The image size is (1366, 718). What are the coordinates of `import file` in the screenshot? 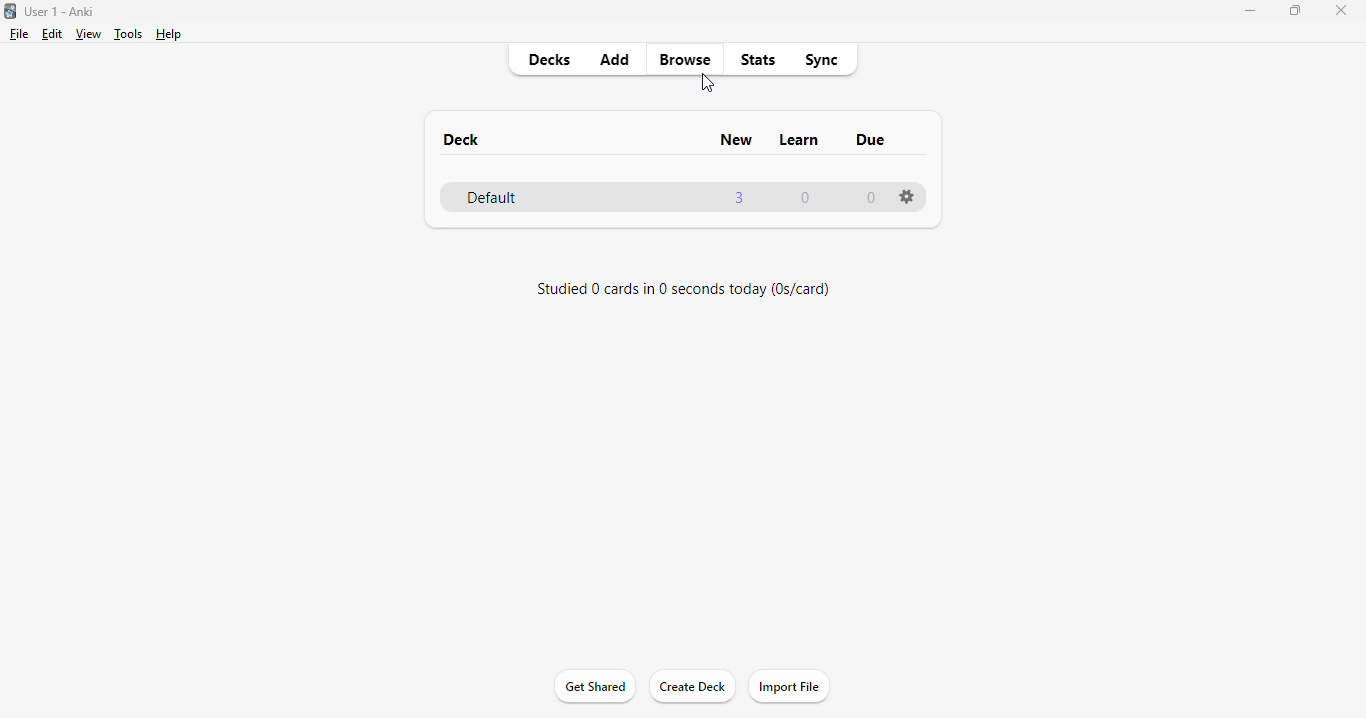 It's located at (790, 686).